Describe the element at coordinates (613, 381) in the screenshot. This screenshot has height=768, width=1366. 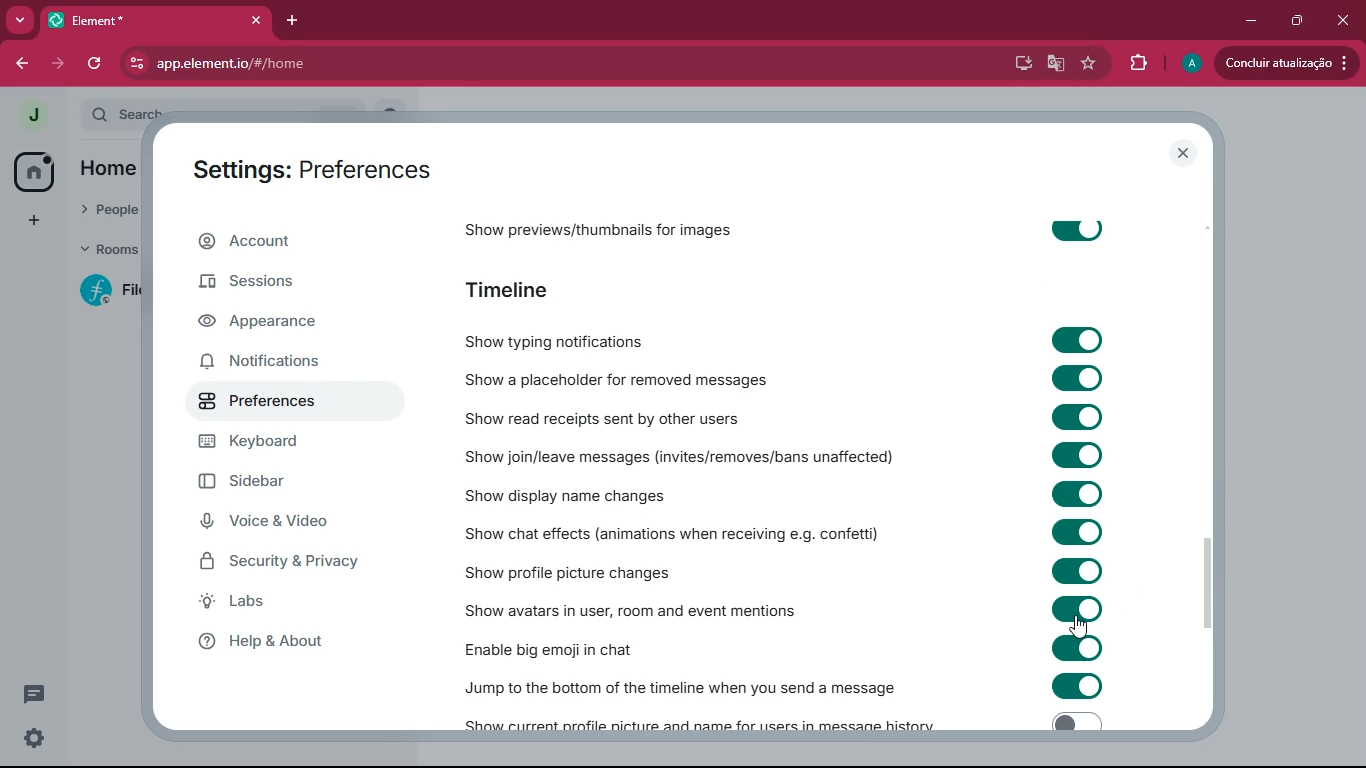
I see `show a placeholder for removed messages` at that location.